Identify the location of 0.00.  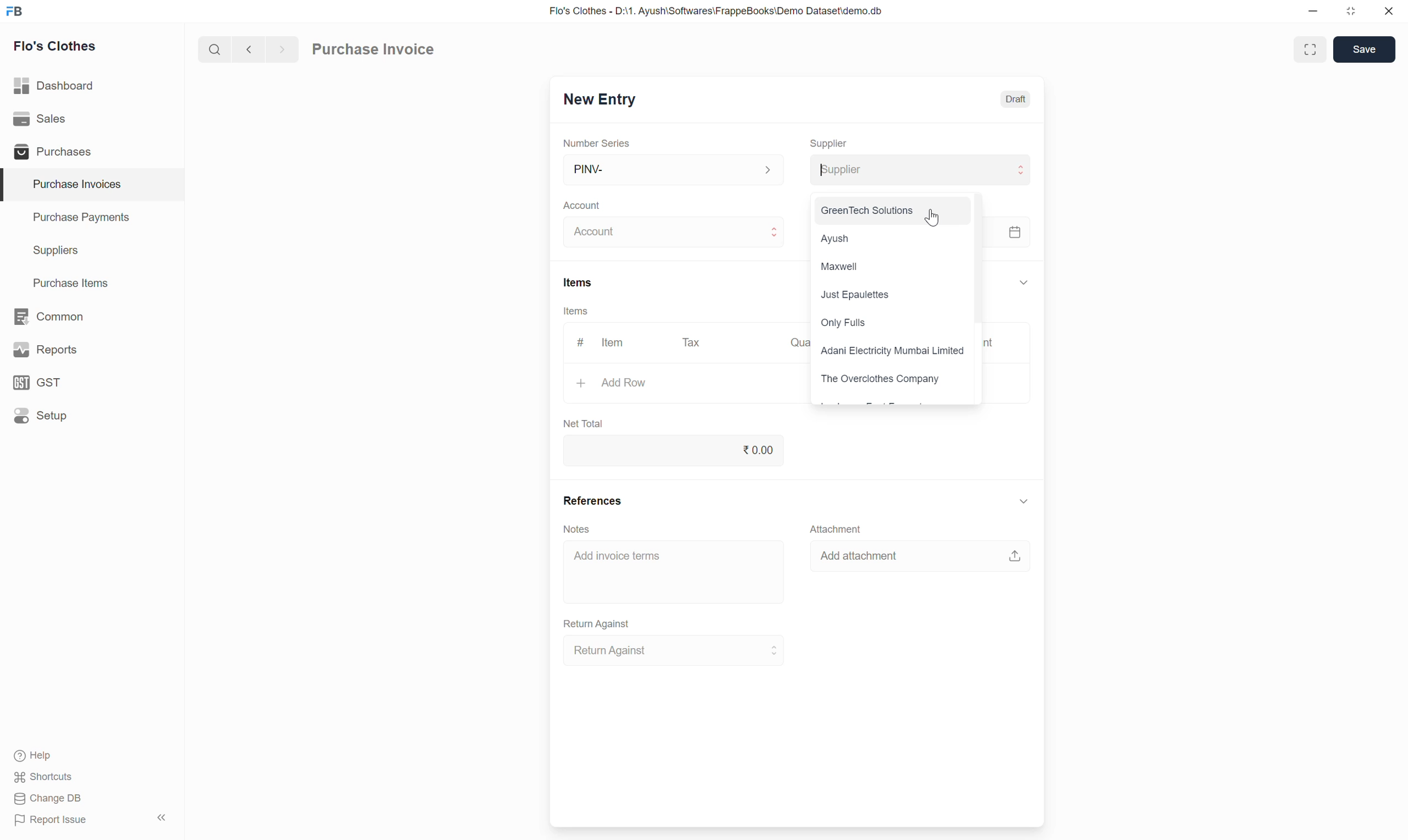
(673, 451).